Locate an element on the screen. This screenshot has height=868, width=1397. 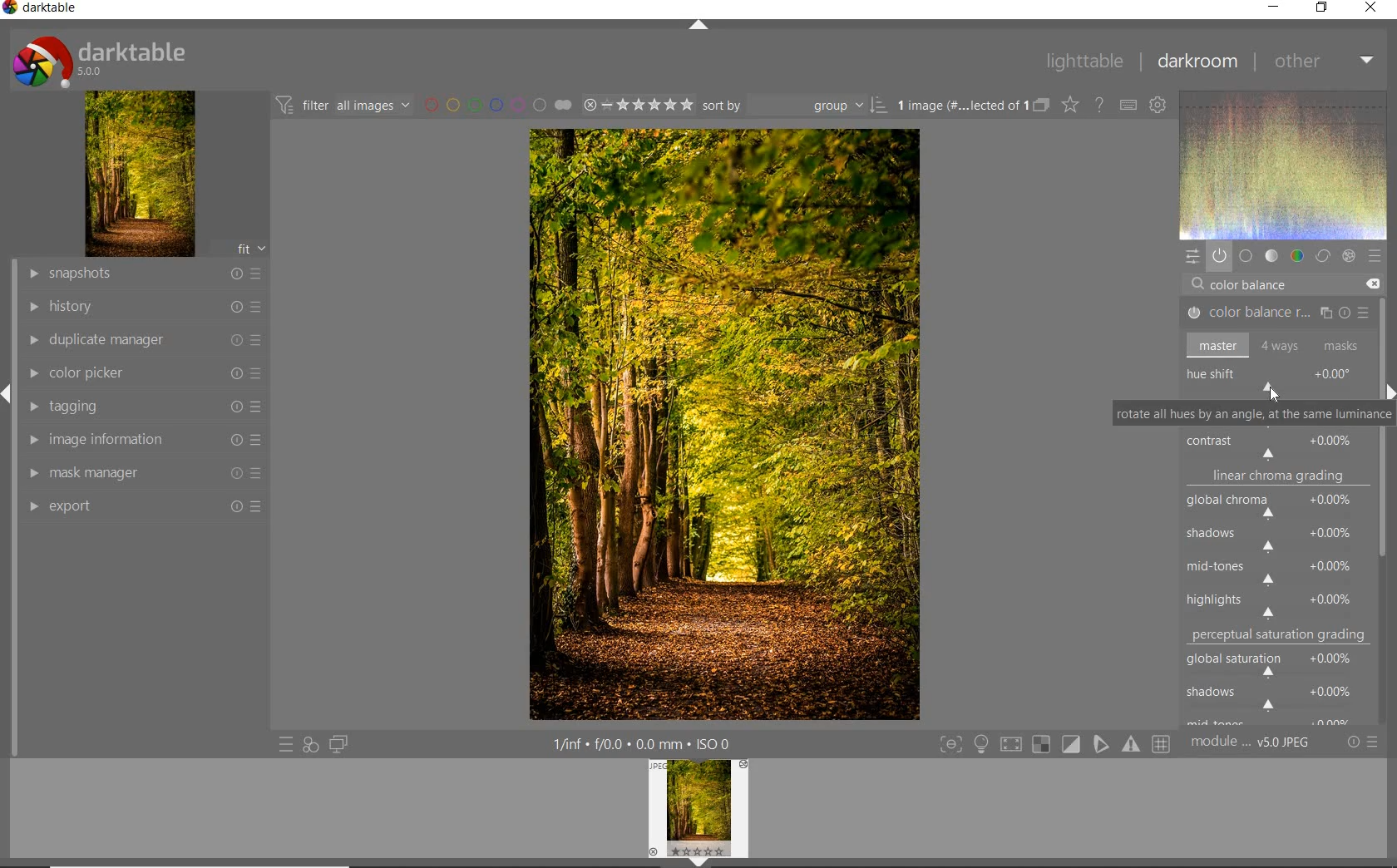
collapse grouped image is located at coordinates (1041, 106).